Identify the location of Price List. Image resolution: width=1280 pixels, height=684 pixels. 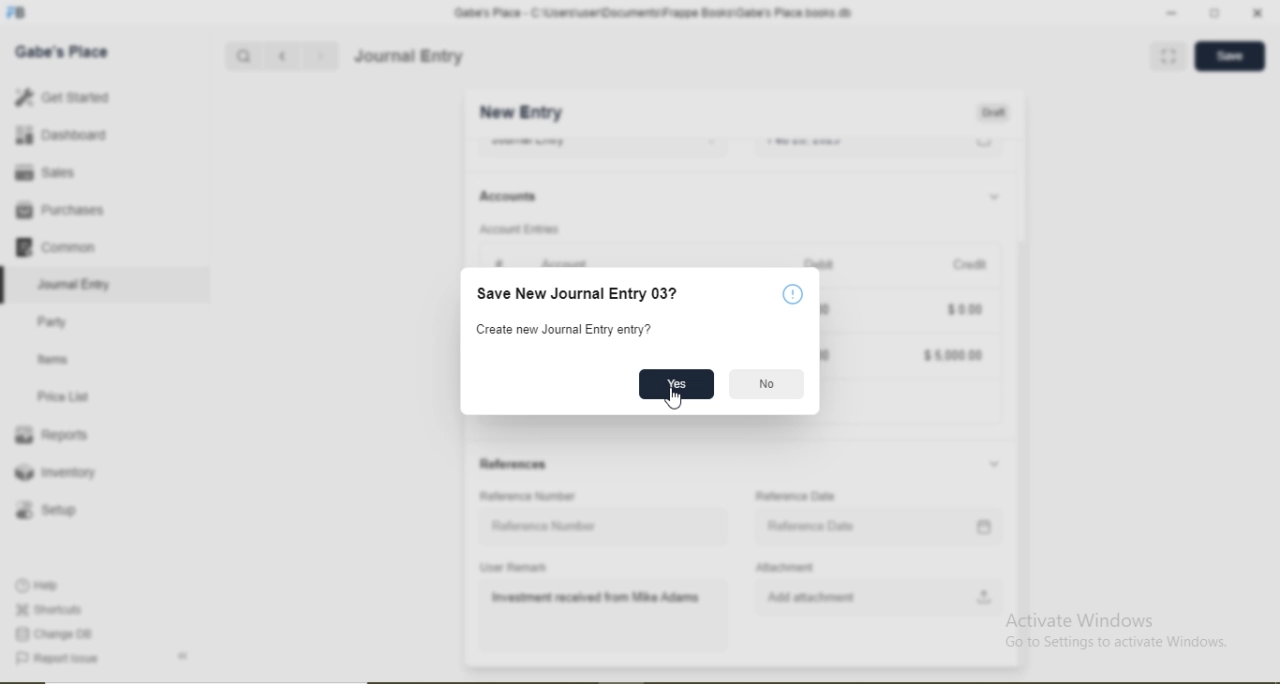
(62, 397).